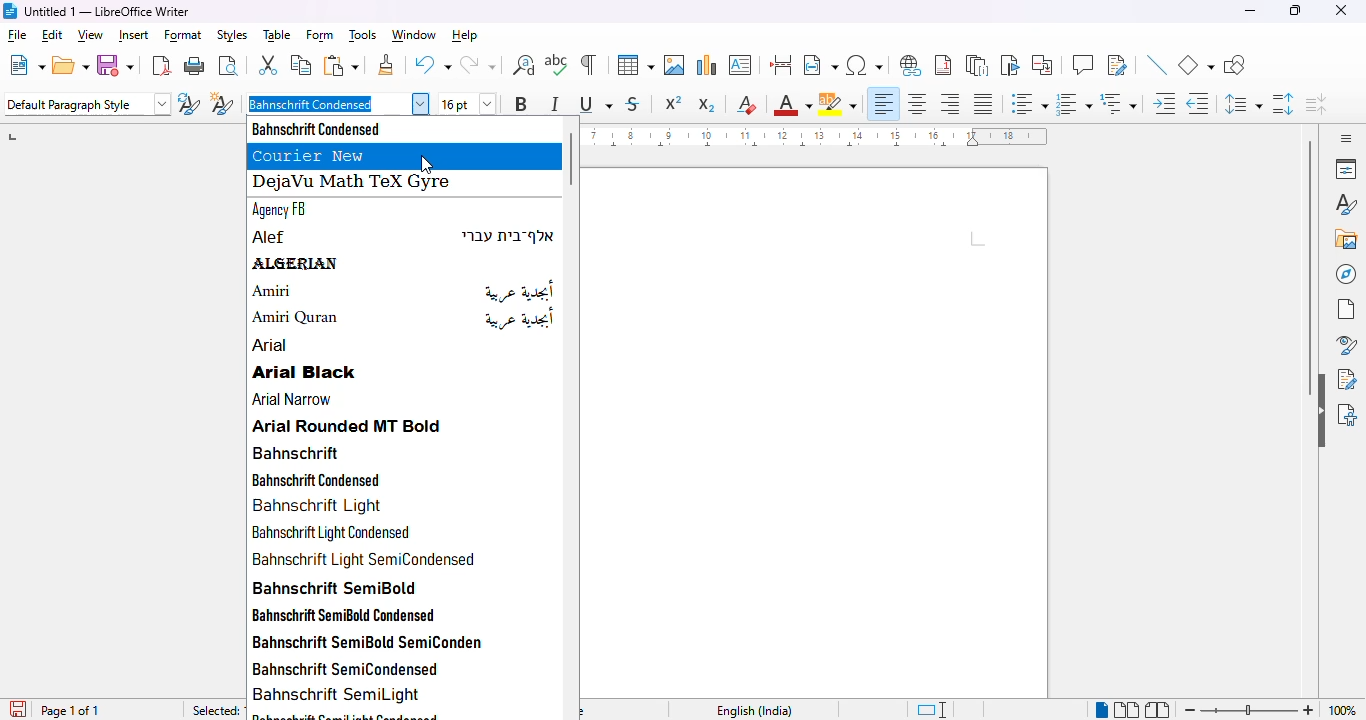 This screenshot has width=1366, height=720. What do you see at coordinates (9, 11) in the screenshot?
I see `Logo` at bounding box center [9, 11].